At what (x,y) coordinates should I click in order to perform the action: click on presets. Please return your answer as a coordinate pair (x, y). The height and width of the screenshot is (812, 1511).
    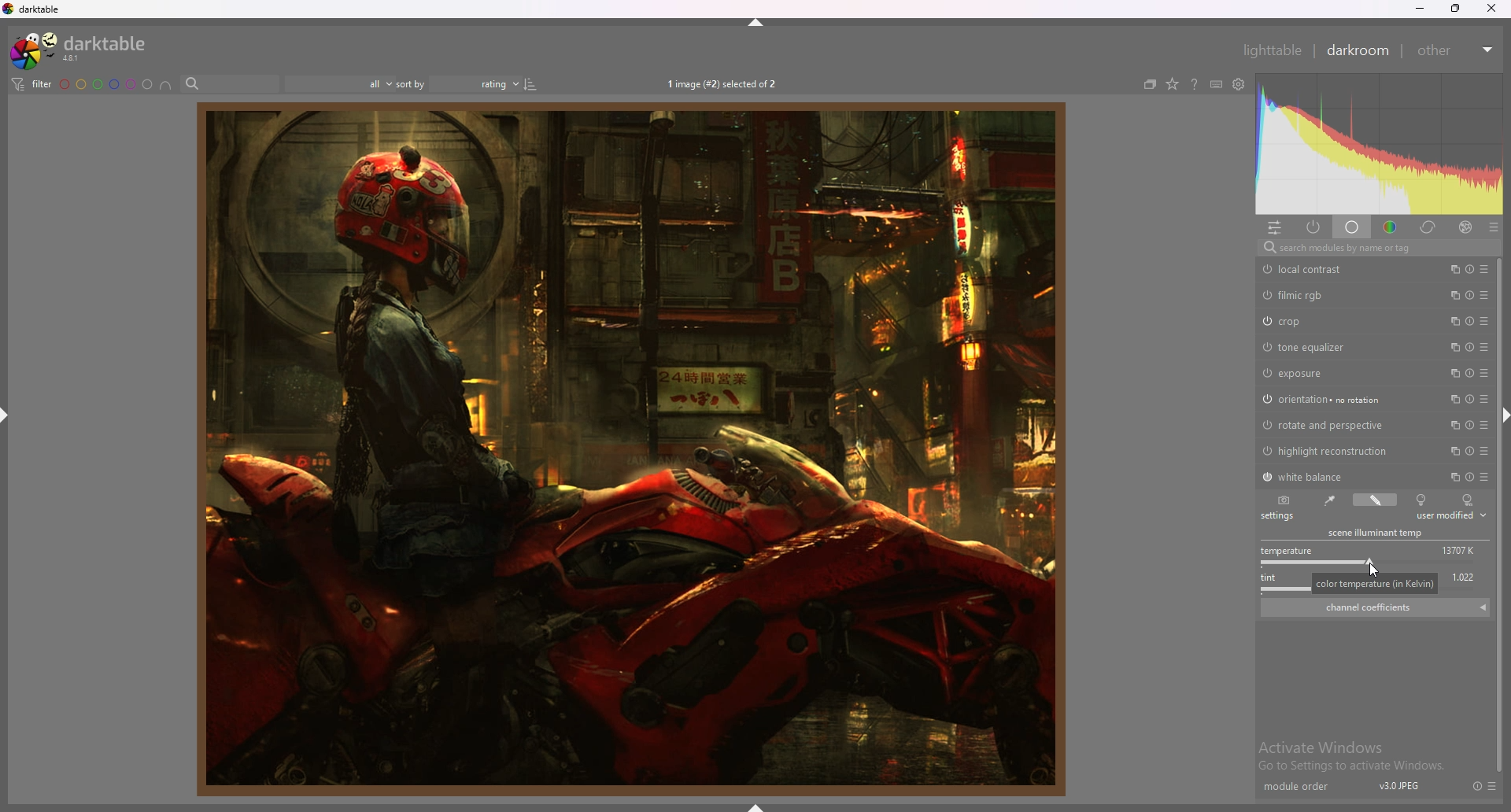
    Looking at the image, I should click on (1484, 399).